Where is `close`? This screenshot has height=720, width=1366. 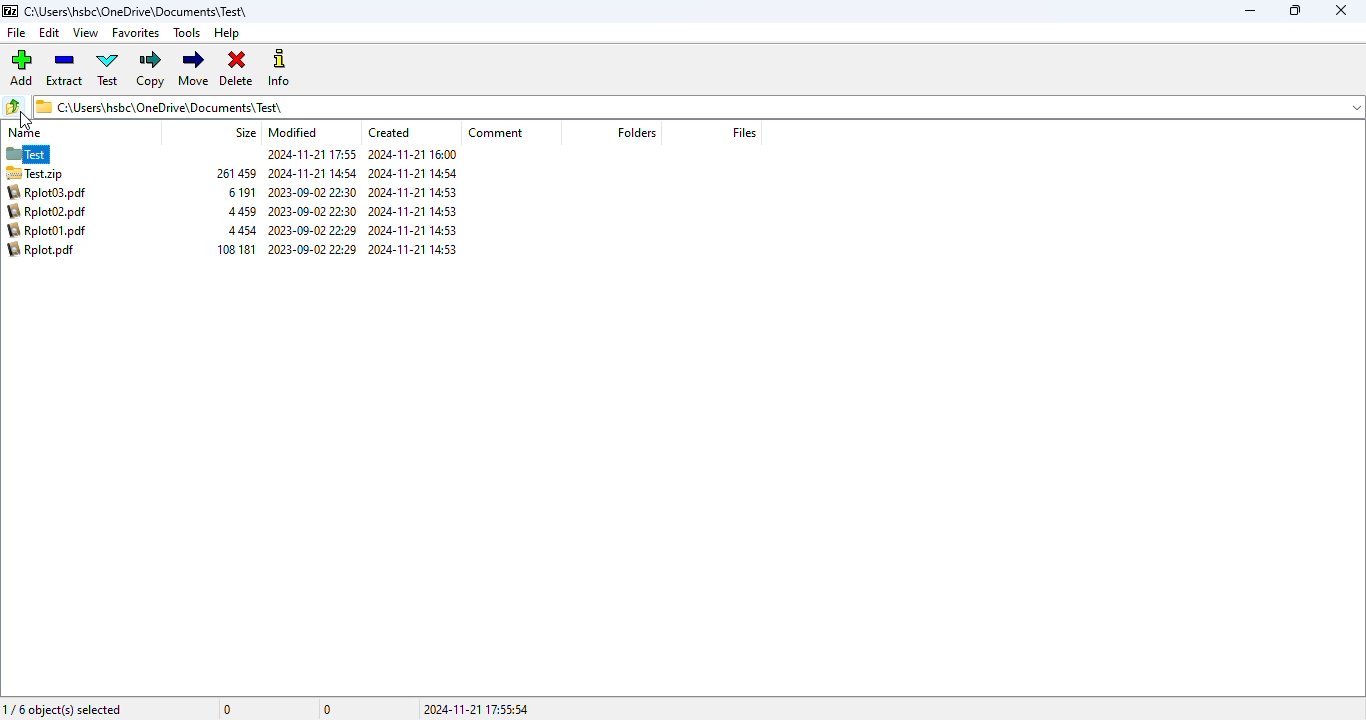 close is located at coordinates (1340, 10).